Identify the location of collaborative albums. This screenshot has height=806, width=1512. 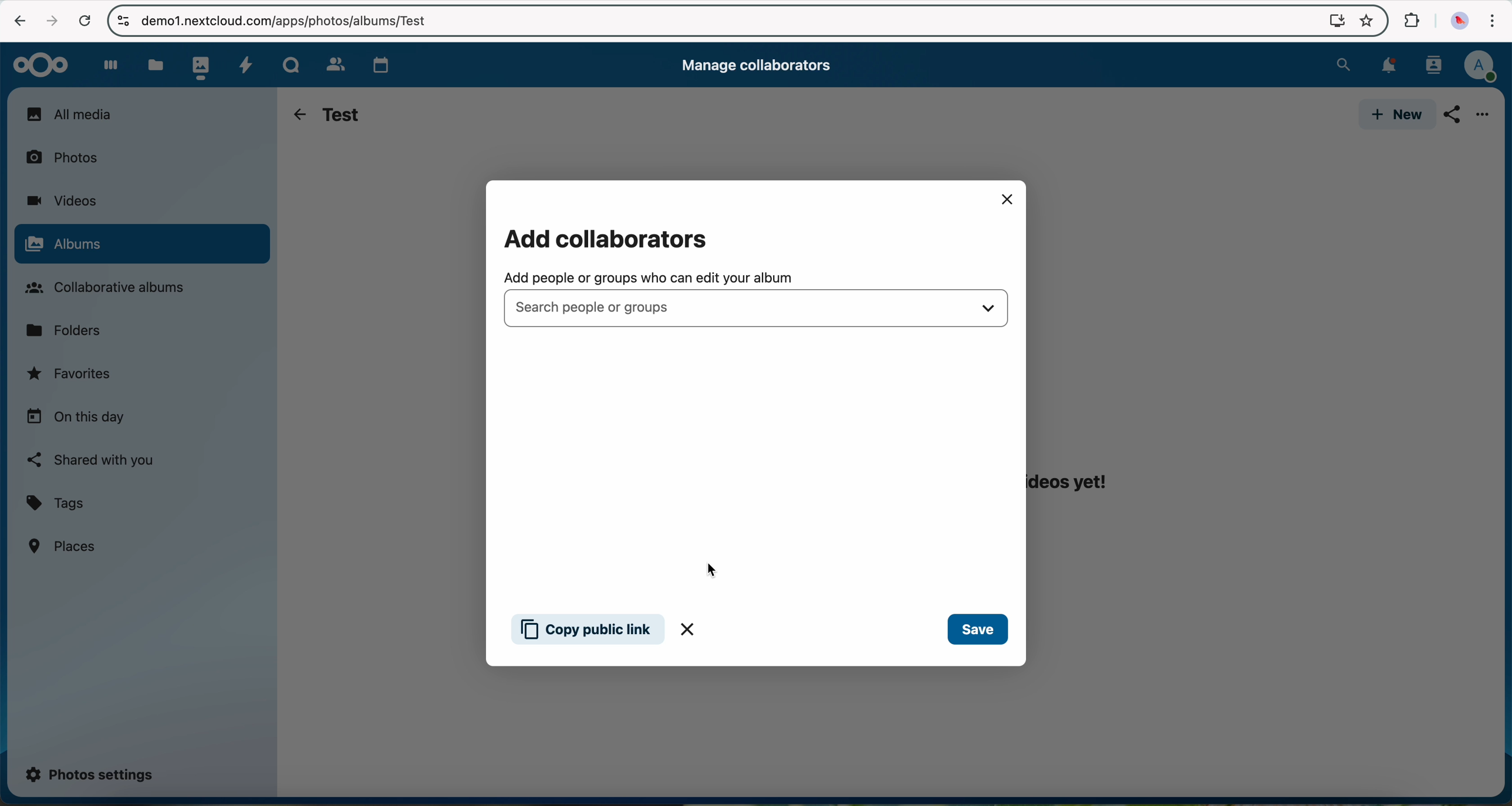
(112, 288).